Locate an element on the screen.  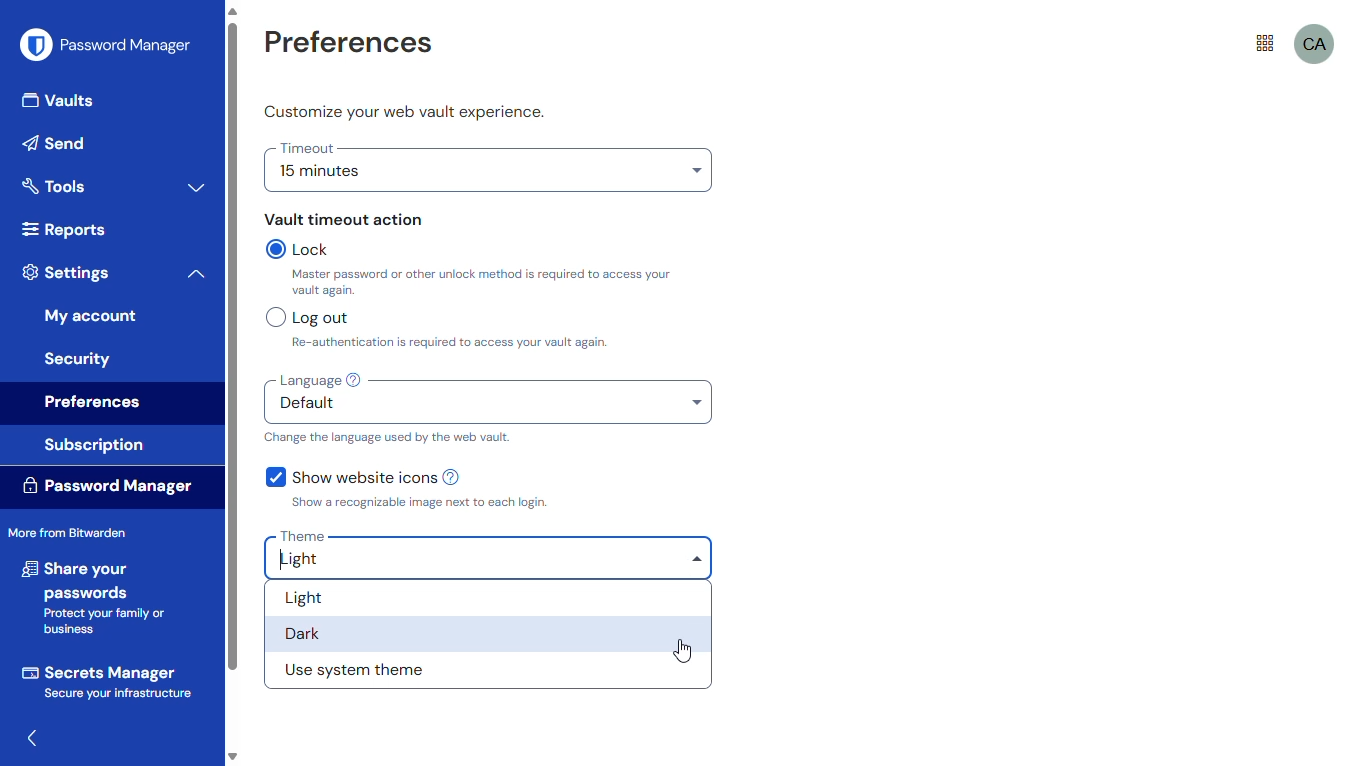
dark is located at coordinates (351, 632).